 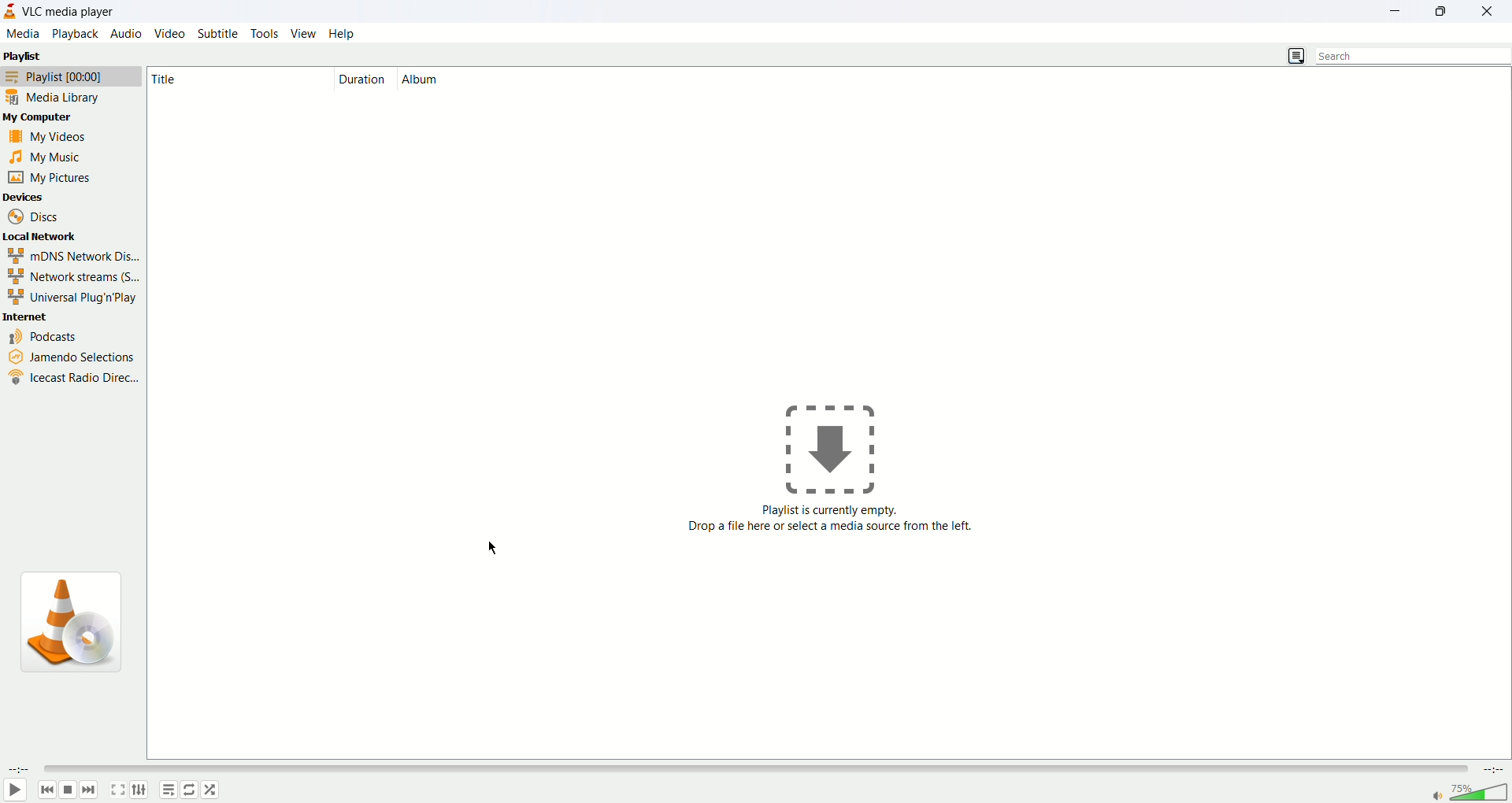 I want to click on play, so click(x=16, y=789).